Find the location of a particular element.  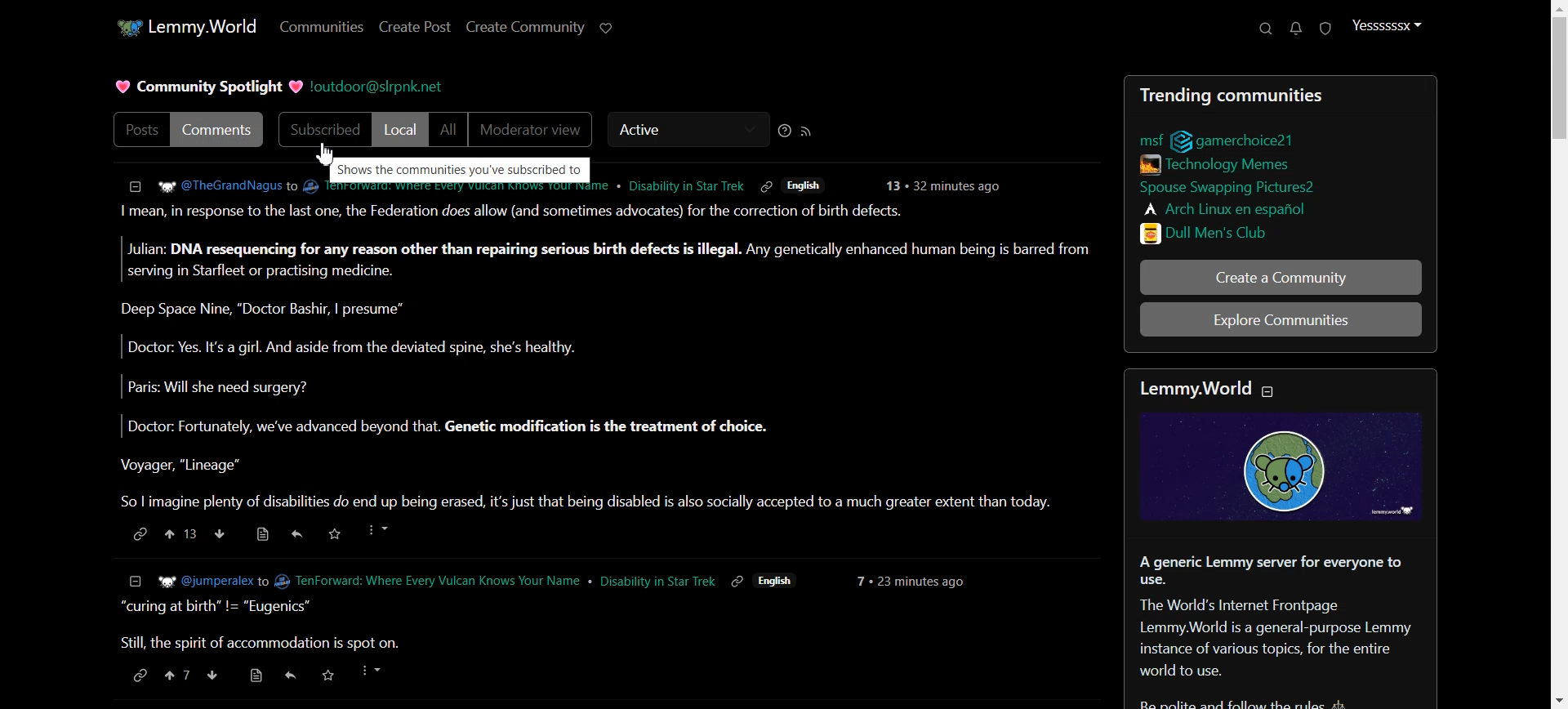

Create Post is located at coordinates (415, 26).